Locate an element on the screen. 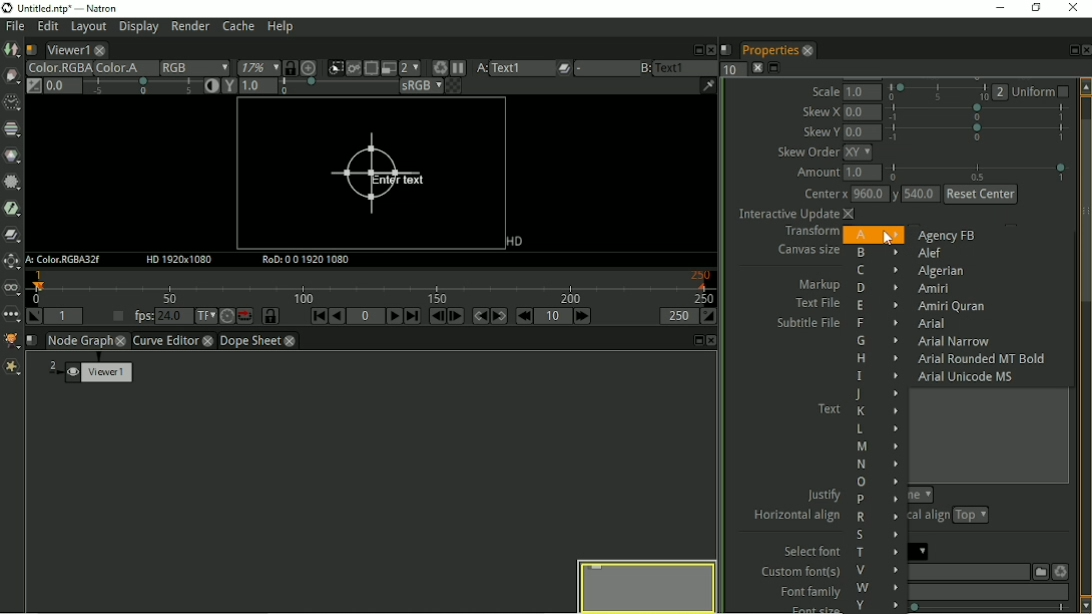 This screenshot has height=614, width=1092. Auto-contrast is located at coordinates (210, 87).